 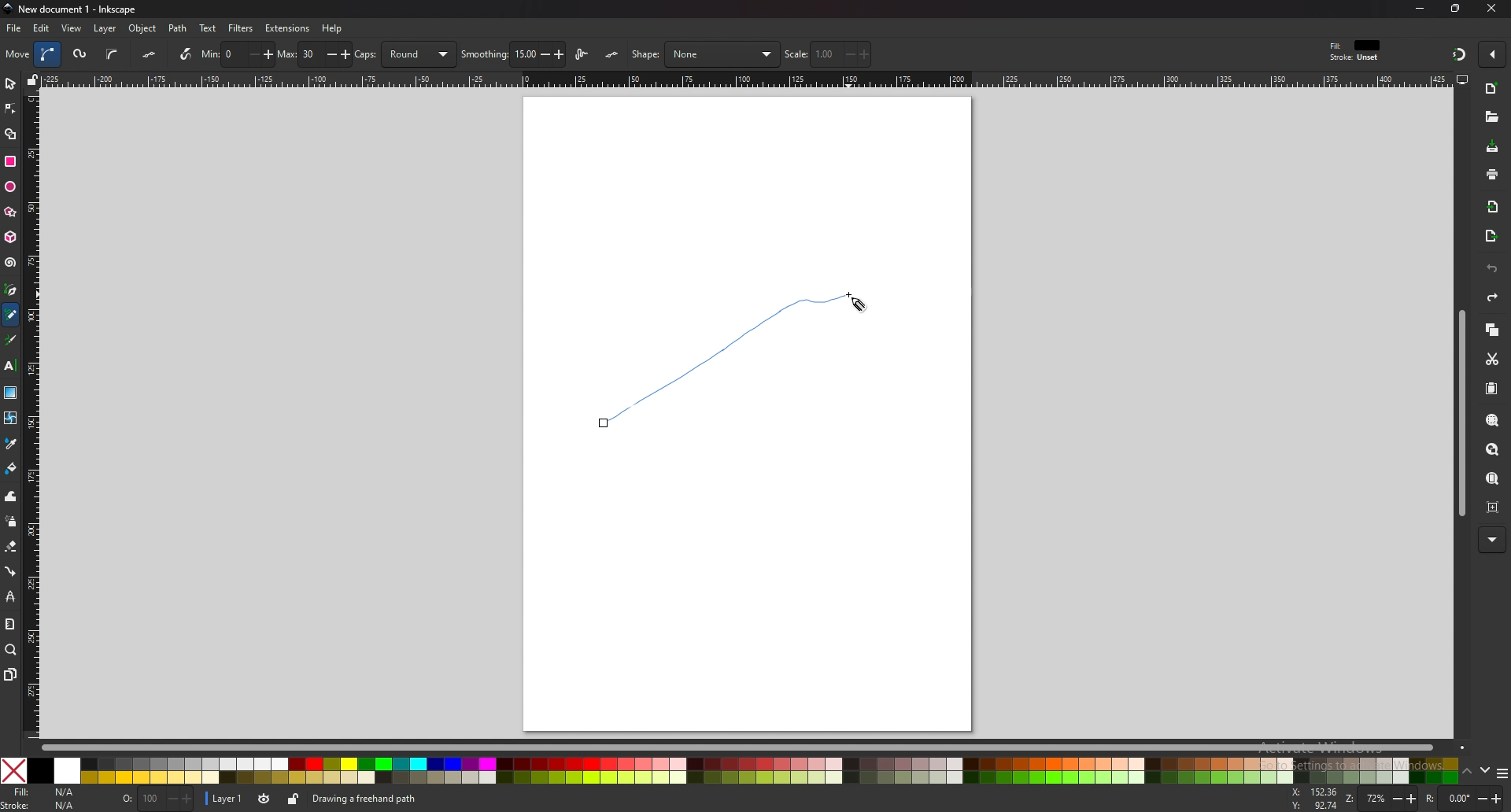 What do you see at coordinates (10, 596) in the screenshot?
I see `lpe` at bounding box center [10, 596].